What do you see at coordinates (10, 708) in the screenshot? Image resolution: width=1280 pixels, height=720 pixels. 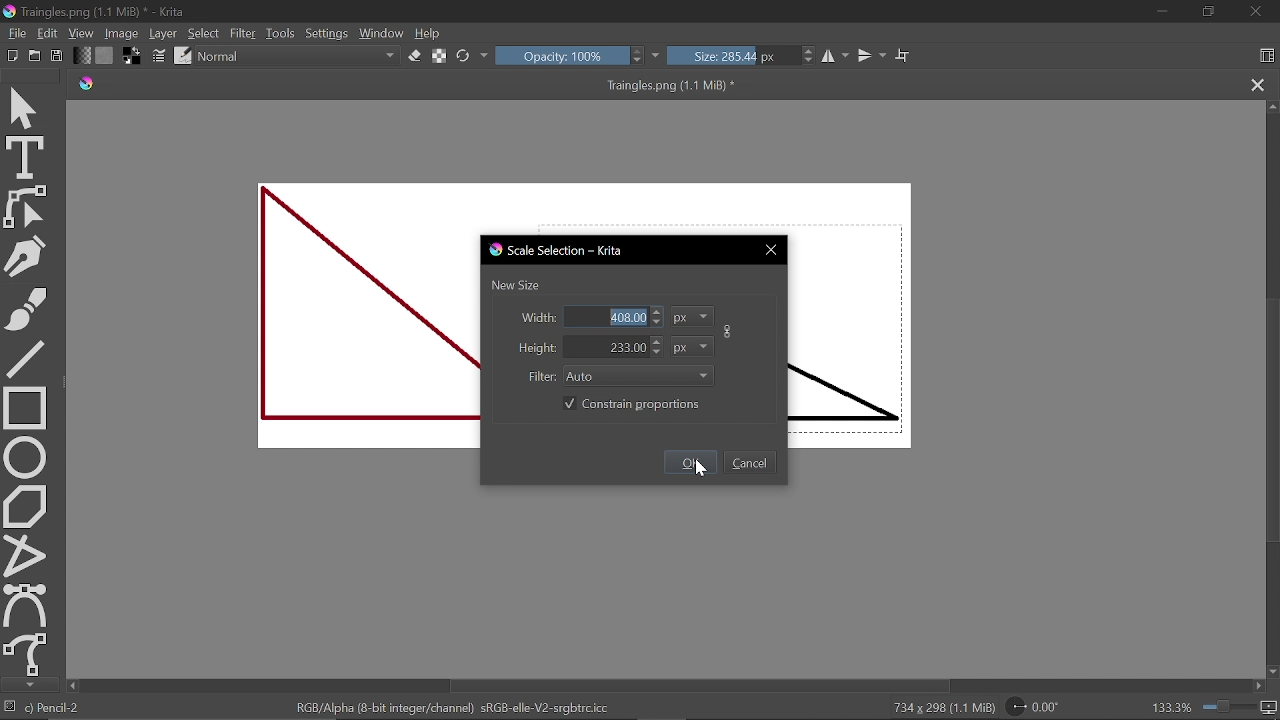 I see `No selection` at bounding box center [10, 708].